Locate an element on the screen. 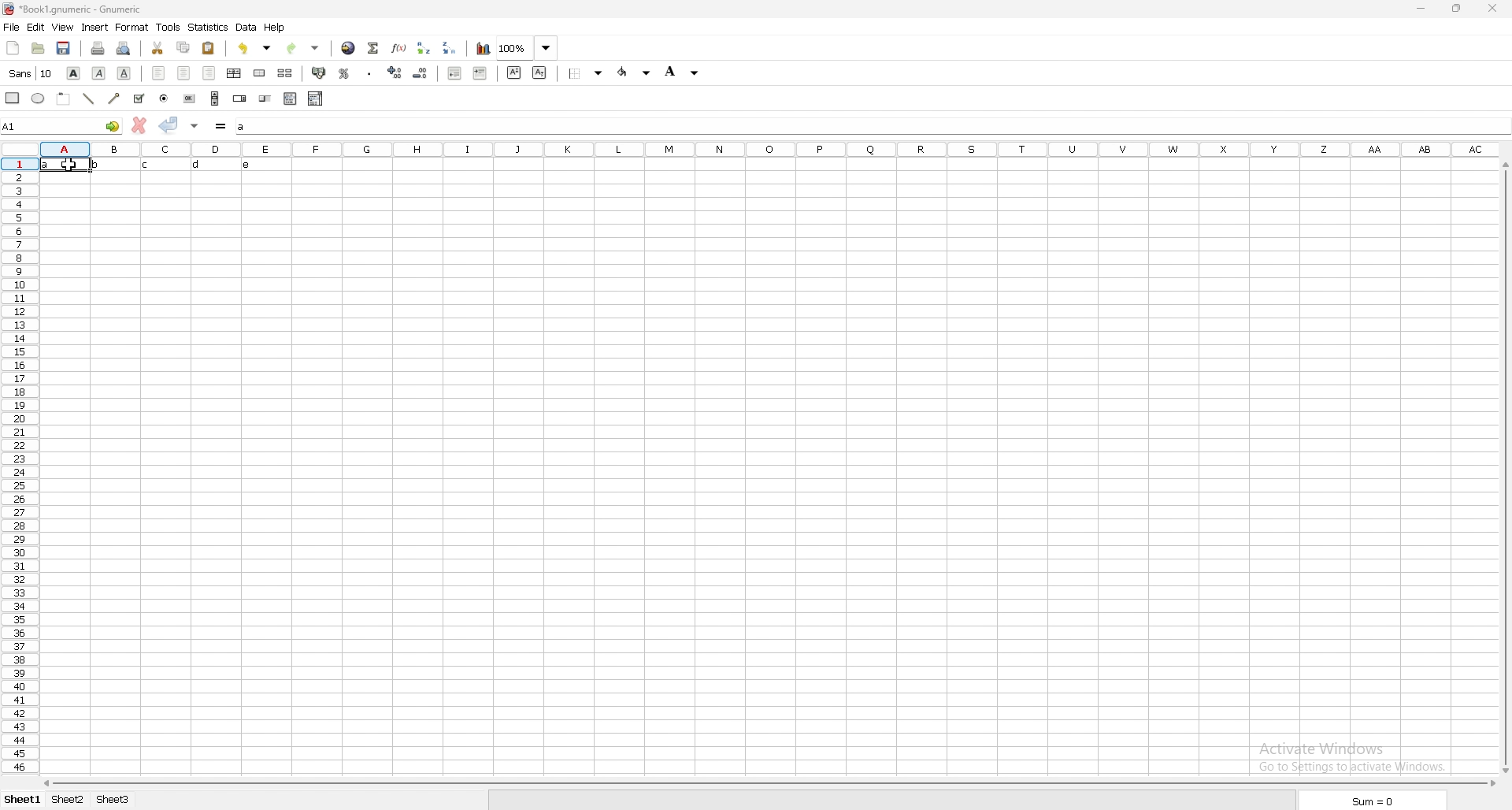  deecrease indent is located at coordinates (454, 73).